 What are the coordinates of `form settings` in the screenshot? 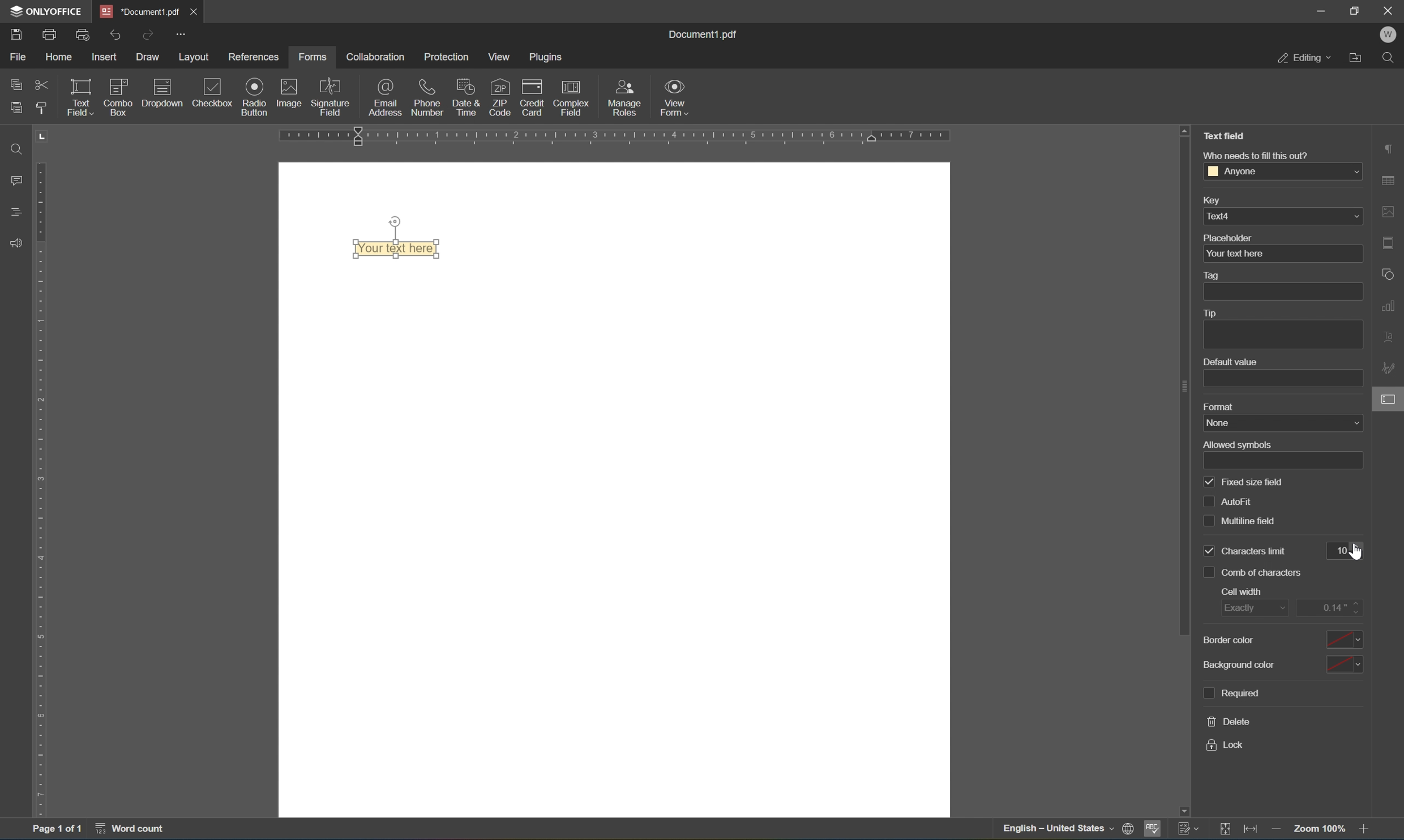 It's located at (1342, 424).